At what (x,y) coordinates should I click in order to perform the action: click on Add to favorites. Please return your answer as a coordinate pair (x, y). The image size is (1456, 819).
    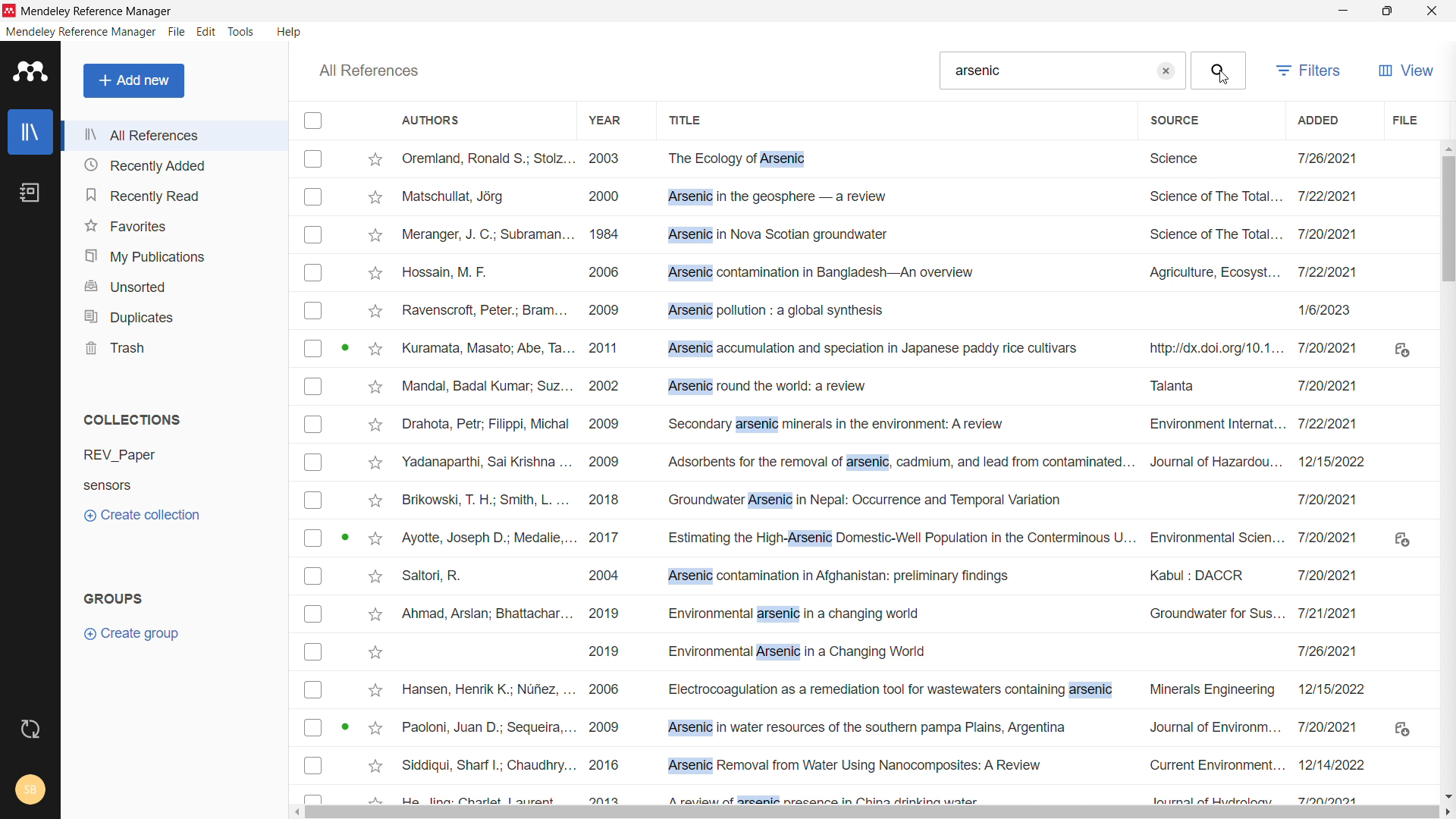
    Looking at the image, I should click on (374, 689).